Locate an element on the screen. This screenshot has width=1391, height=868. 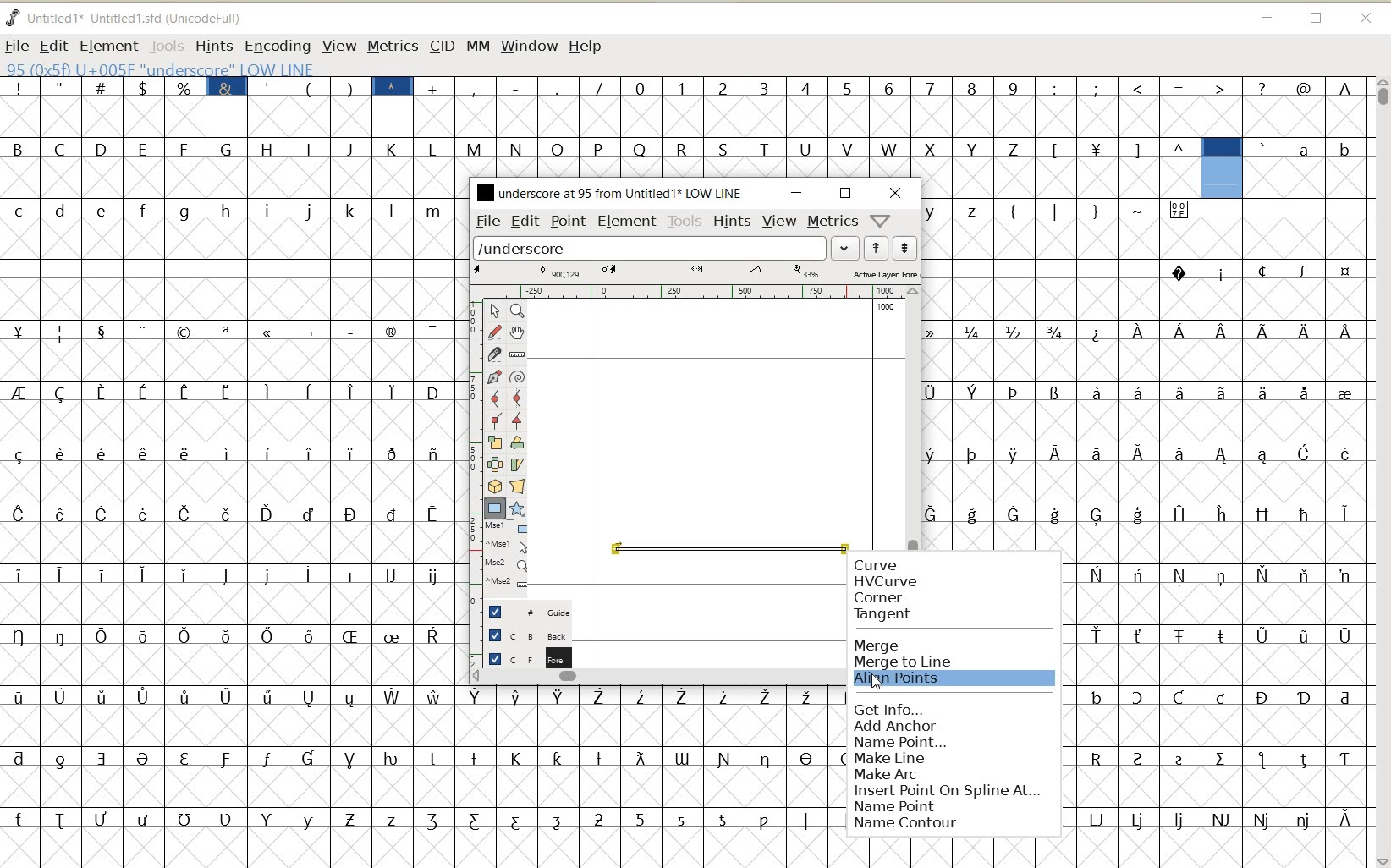
TOOLS is located at coordinates (685, 222).